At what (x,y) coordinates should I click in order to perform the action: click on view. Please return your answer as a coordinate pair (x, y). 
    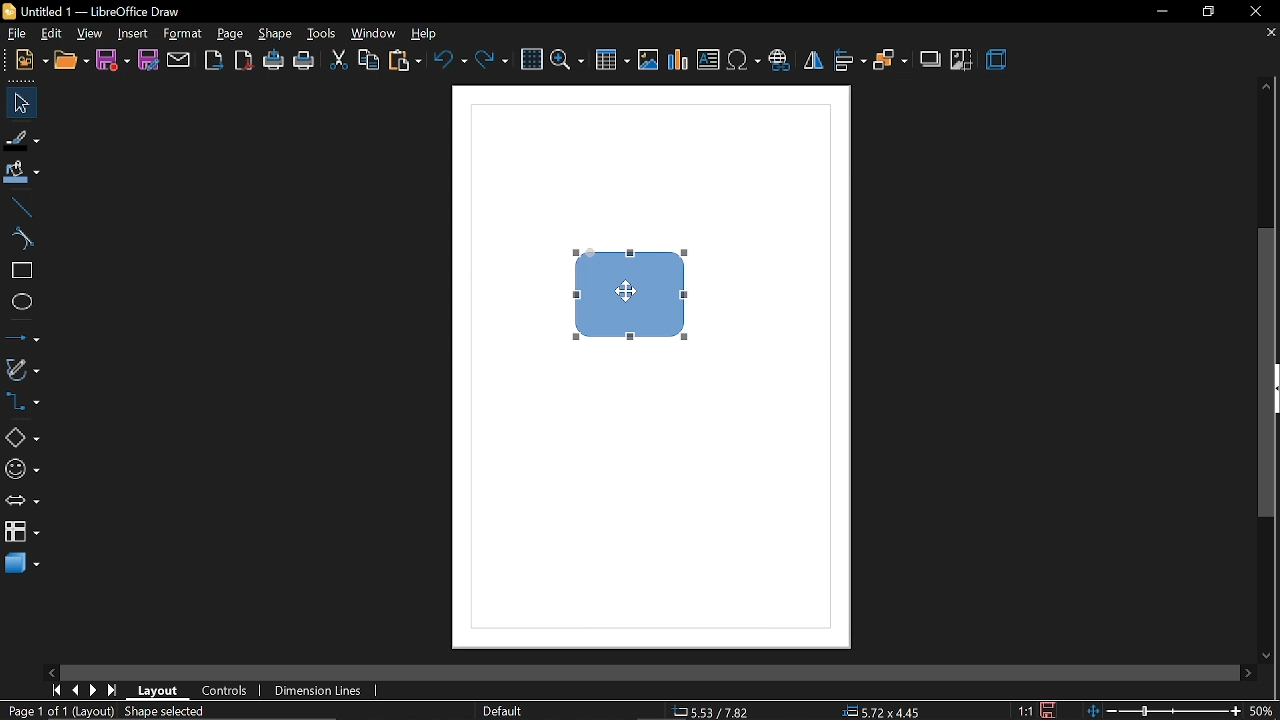
    Looking at the image, I should click on (91, 35).